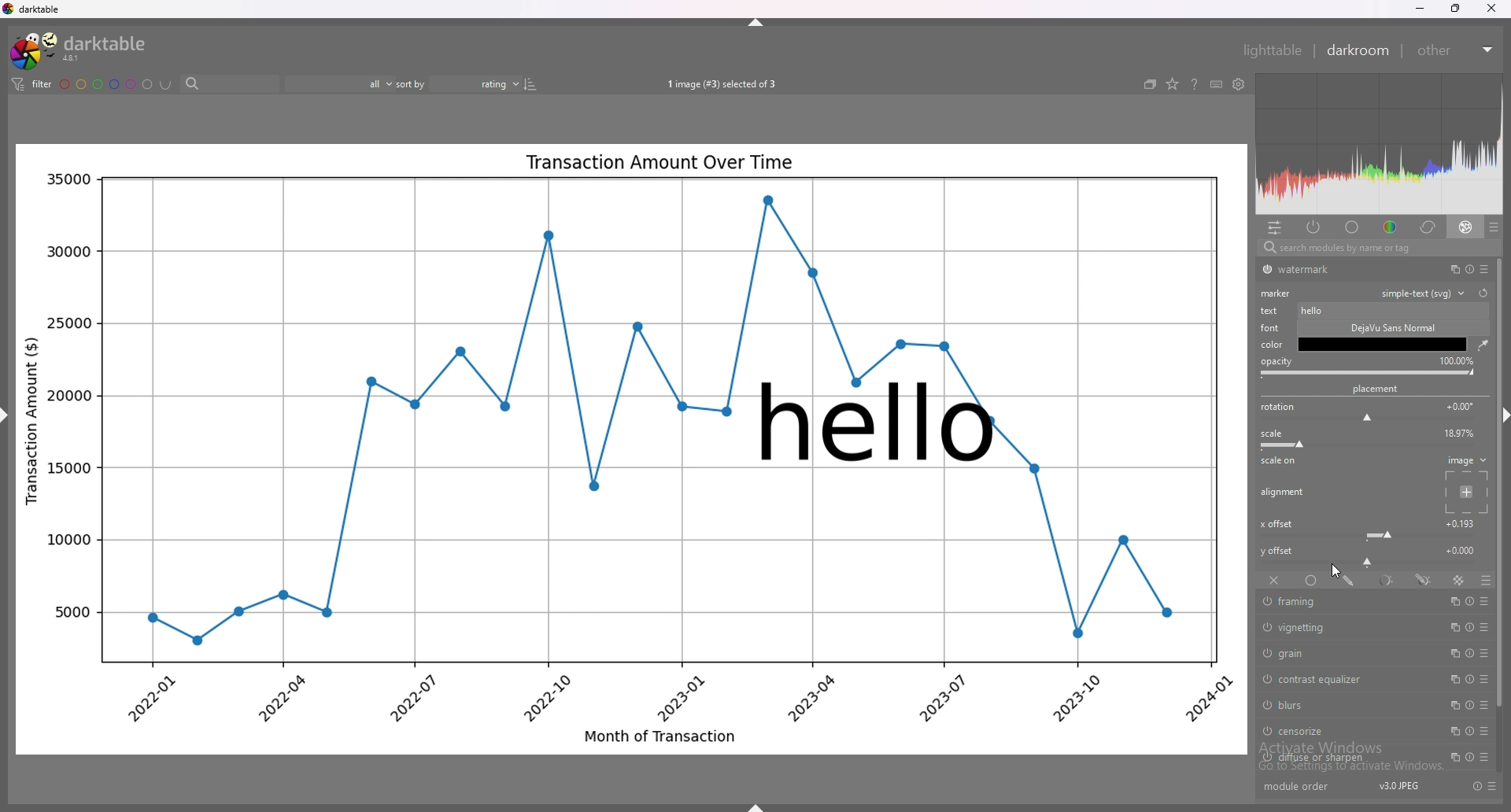 This screenshot has width=1511, height=812. Describe the element at coordinates (1337, 572) in the screenshot. I see `cursor` at that location.